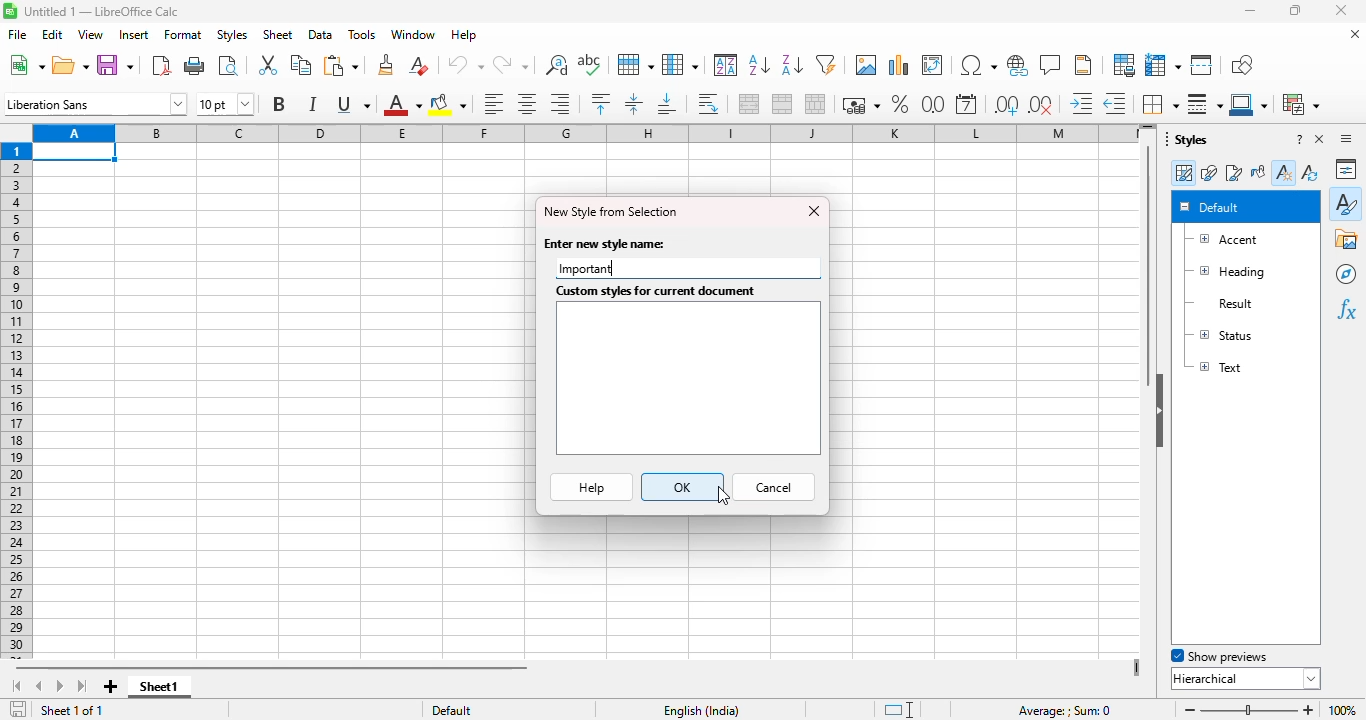 The image size is (1366, 720). Describe the element at coordinates (15, 687) in the screenshot. I see `scroll to first sheet` at that location.